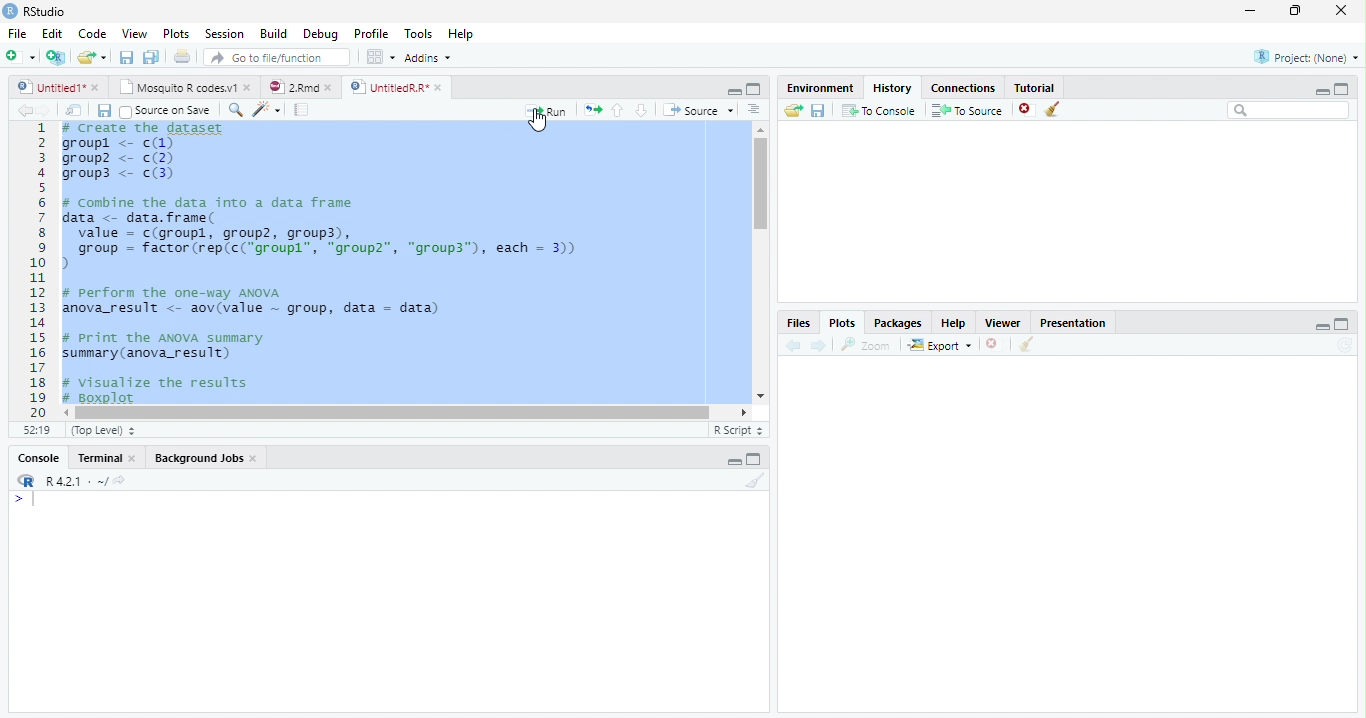  I want to click on Maximize, so click(1297, 11).